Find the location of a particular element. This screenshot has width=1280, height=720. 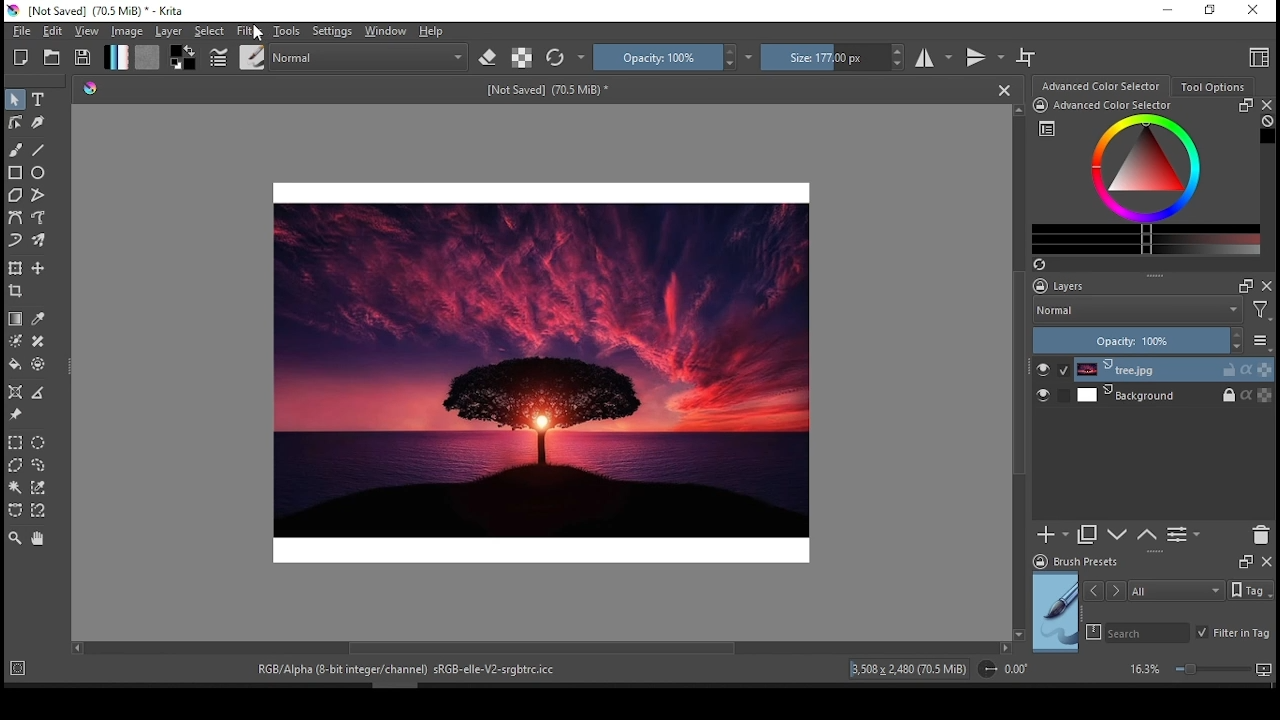

more options is located at coordinates (1262, 341).